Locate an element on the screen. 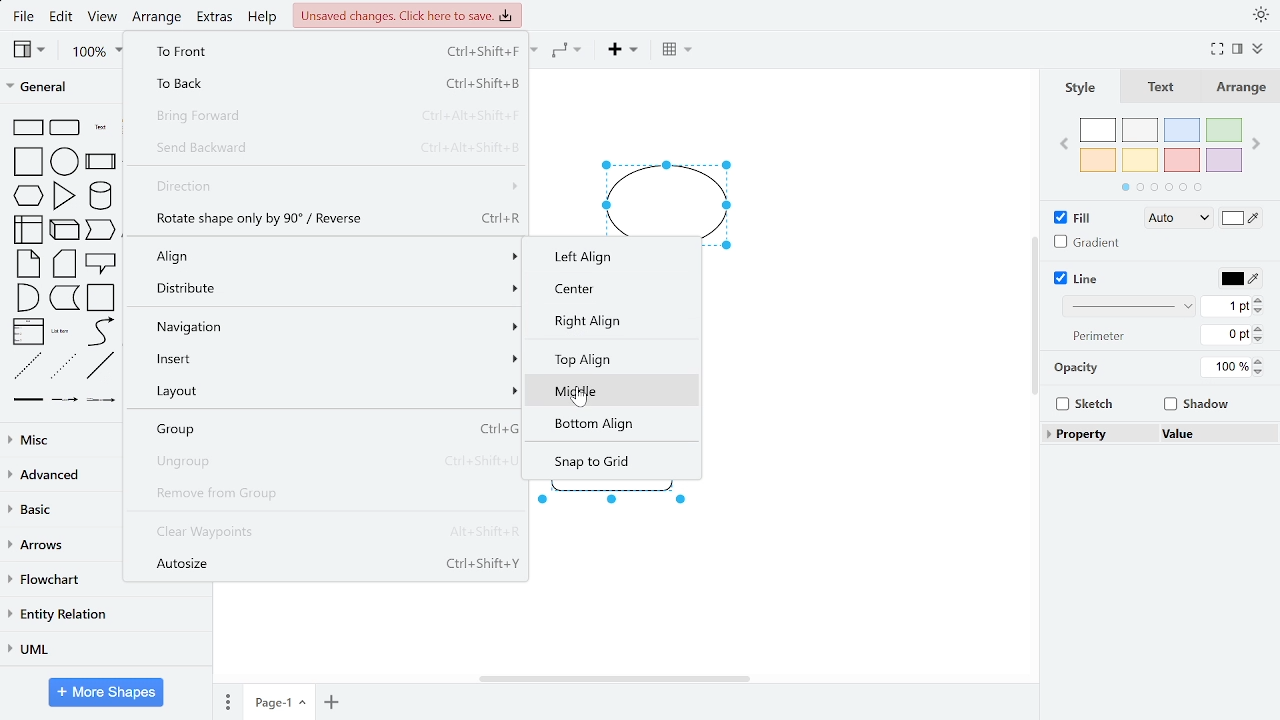 The width and height of the screenshot is (1280, 720). insert is located at coordinates (621, 52).